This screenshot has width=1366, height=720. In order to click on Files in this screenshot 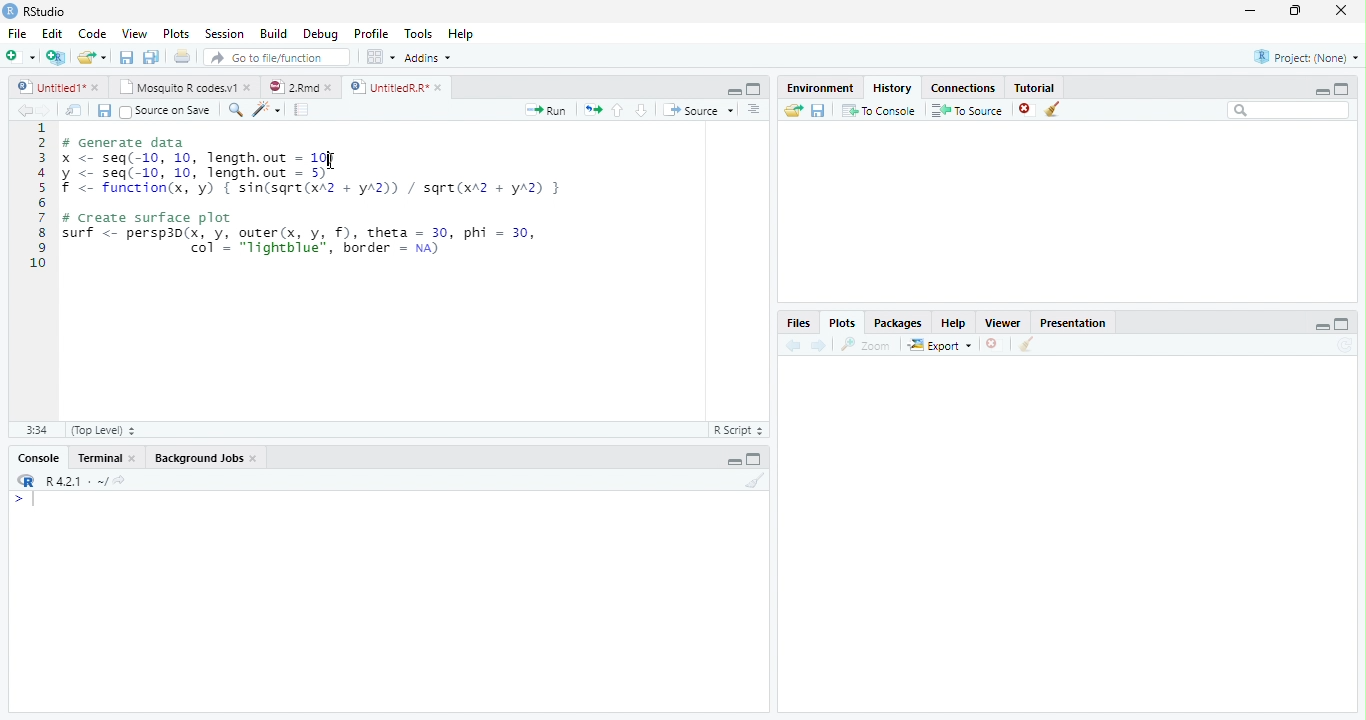, I will do `click(800, 322)`.